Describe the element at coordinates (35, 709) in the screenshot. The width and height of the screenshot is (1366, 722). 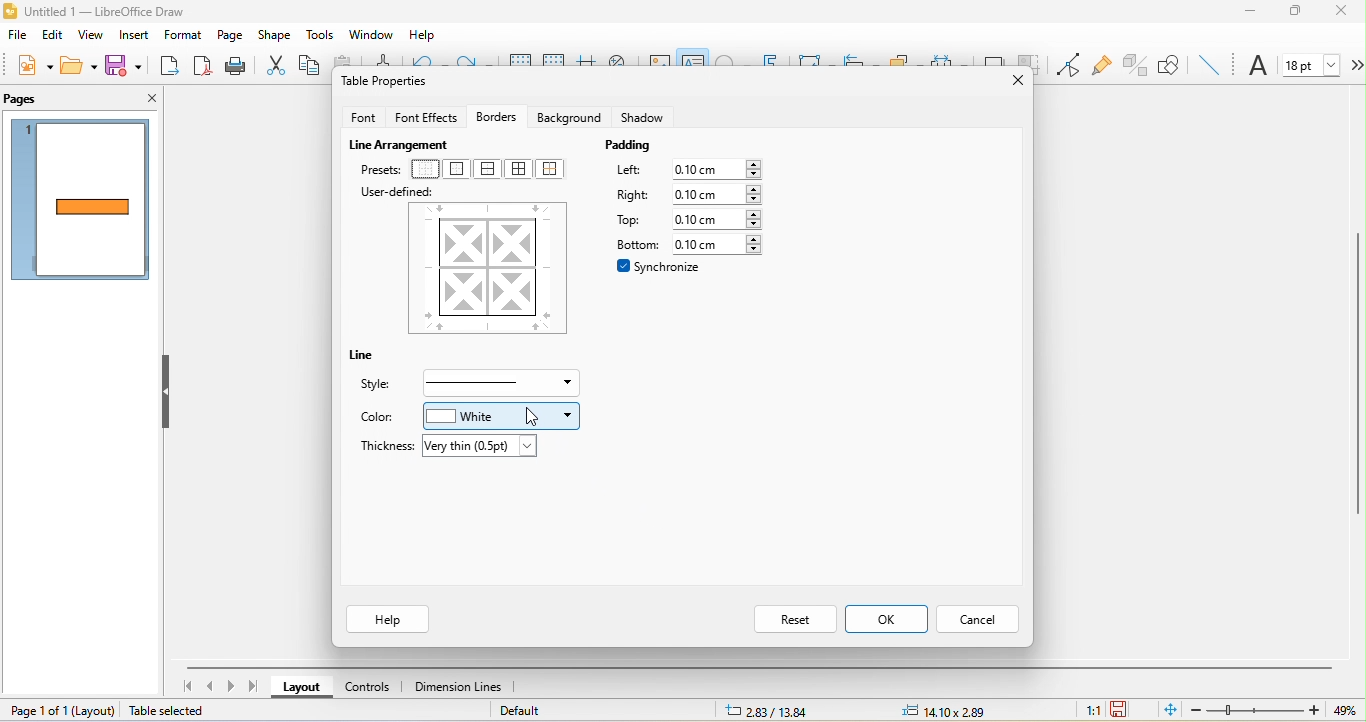
I see `page 1 of 1` at that location.